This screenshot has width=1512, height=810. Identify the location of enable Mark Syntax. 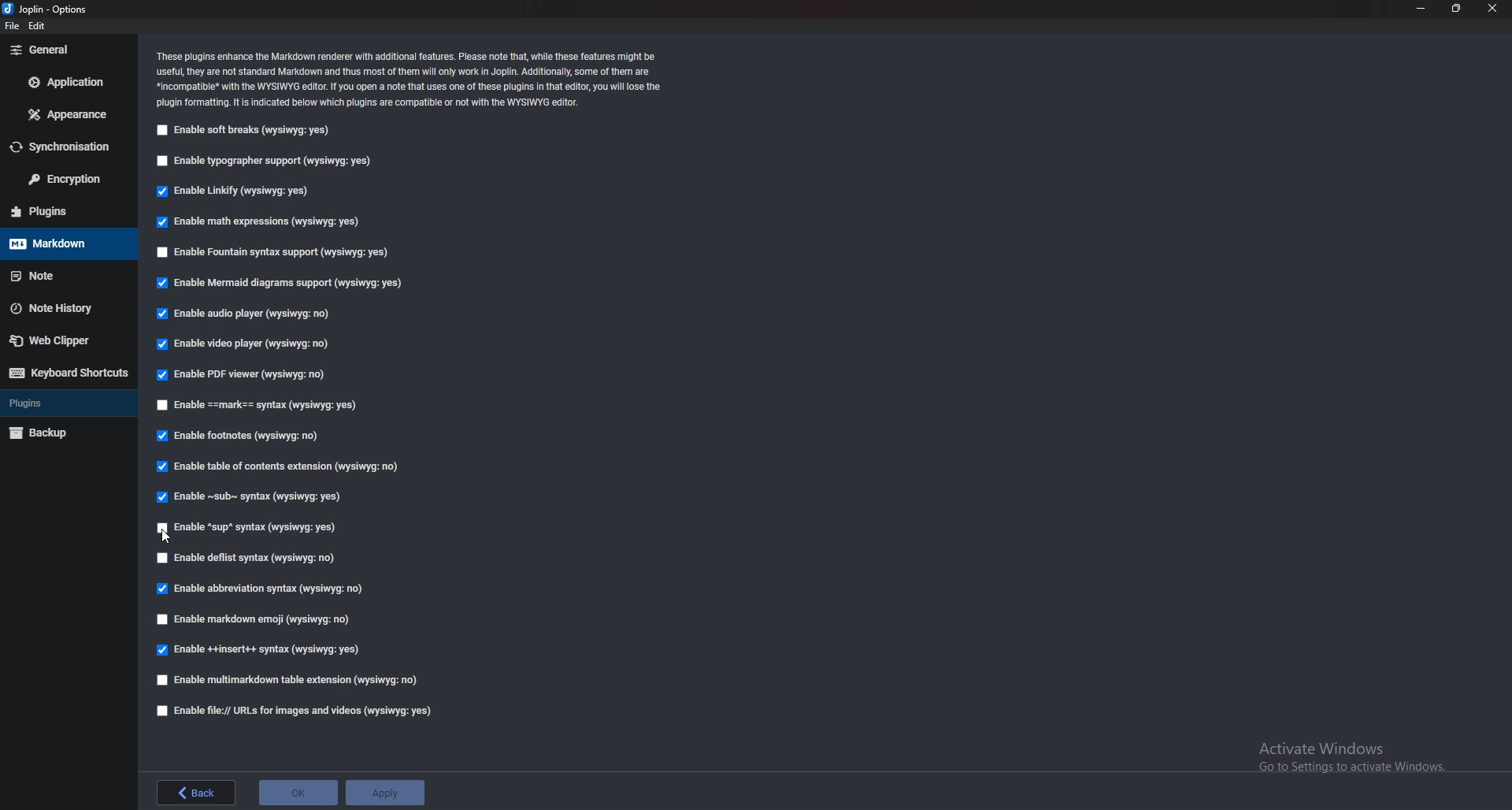
(261, 403).